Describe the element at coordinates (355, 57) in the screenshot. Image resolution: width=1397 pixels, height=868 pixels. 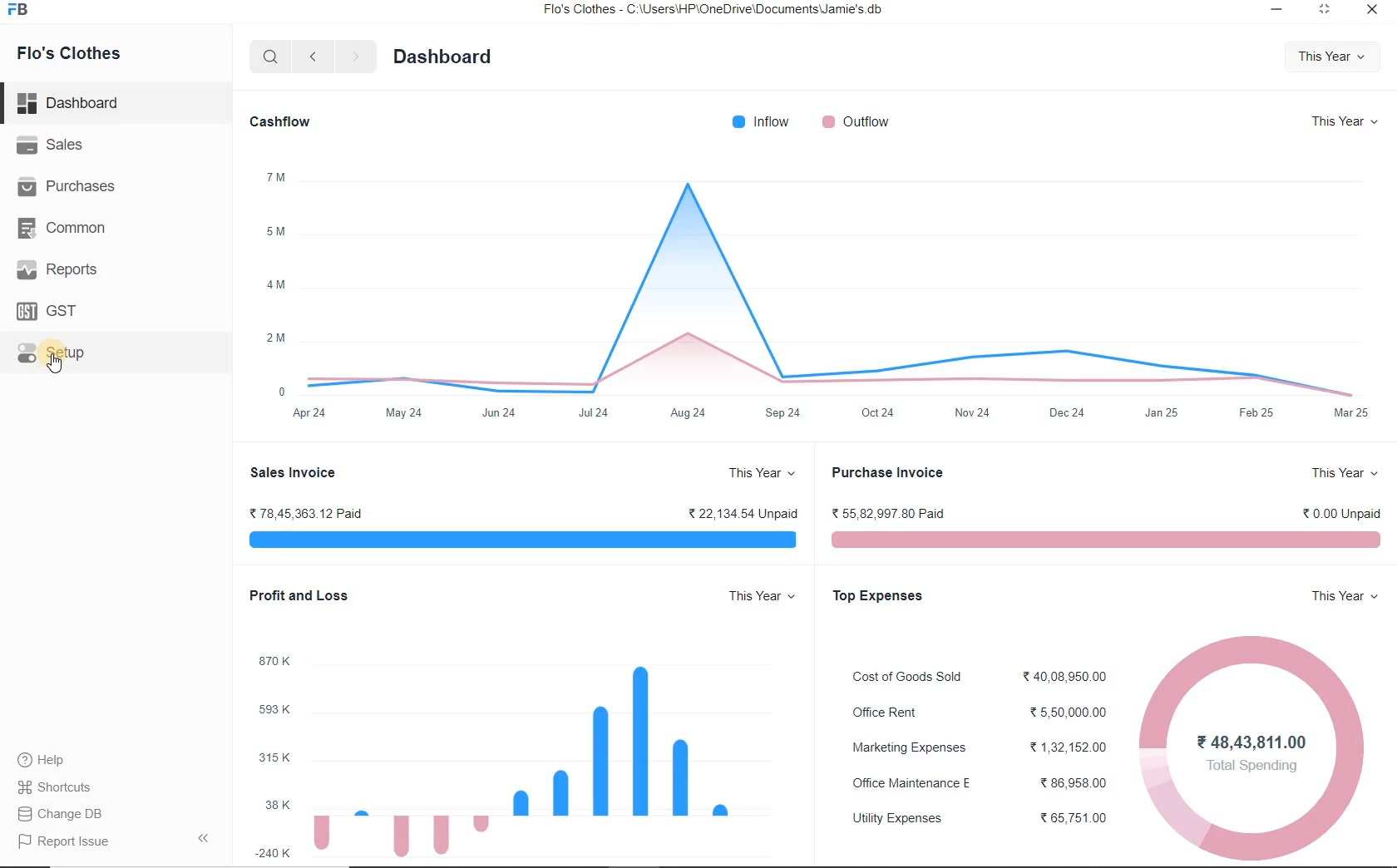
I see `Next` at that location.